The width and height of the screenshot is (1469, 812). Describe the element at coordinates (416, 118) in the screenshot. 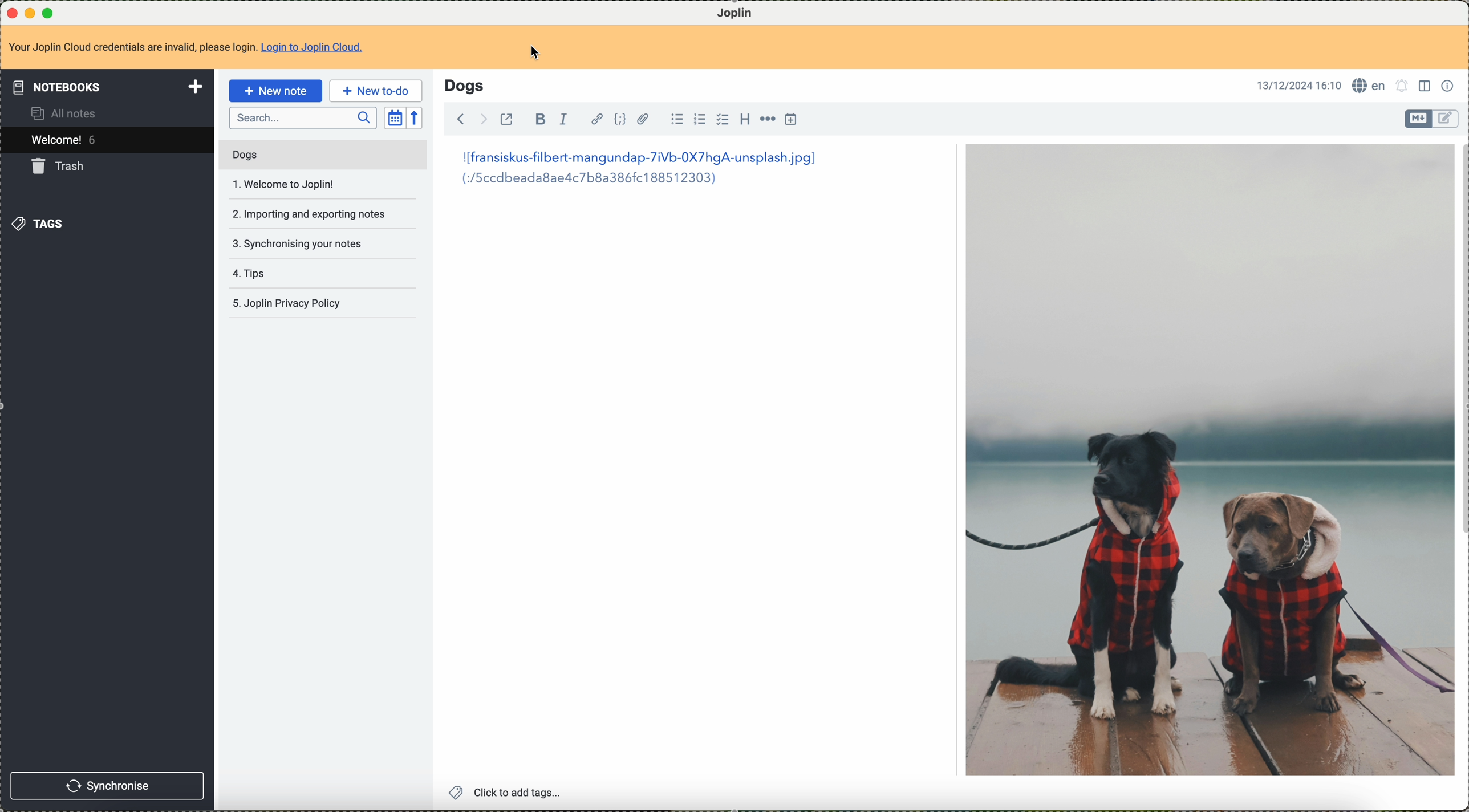

I see `reverse sort order` at that location.